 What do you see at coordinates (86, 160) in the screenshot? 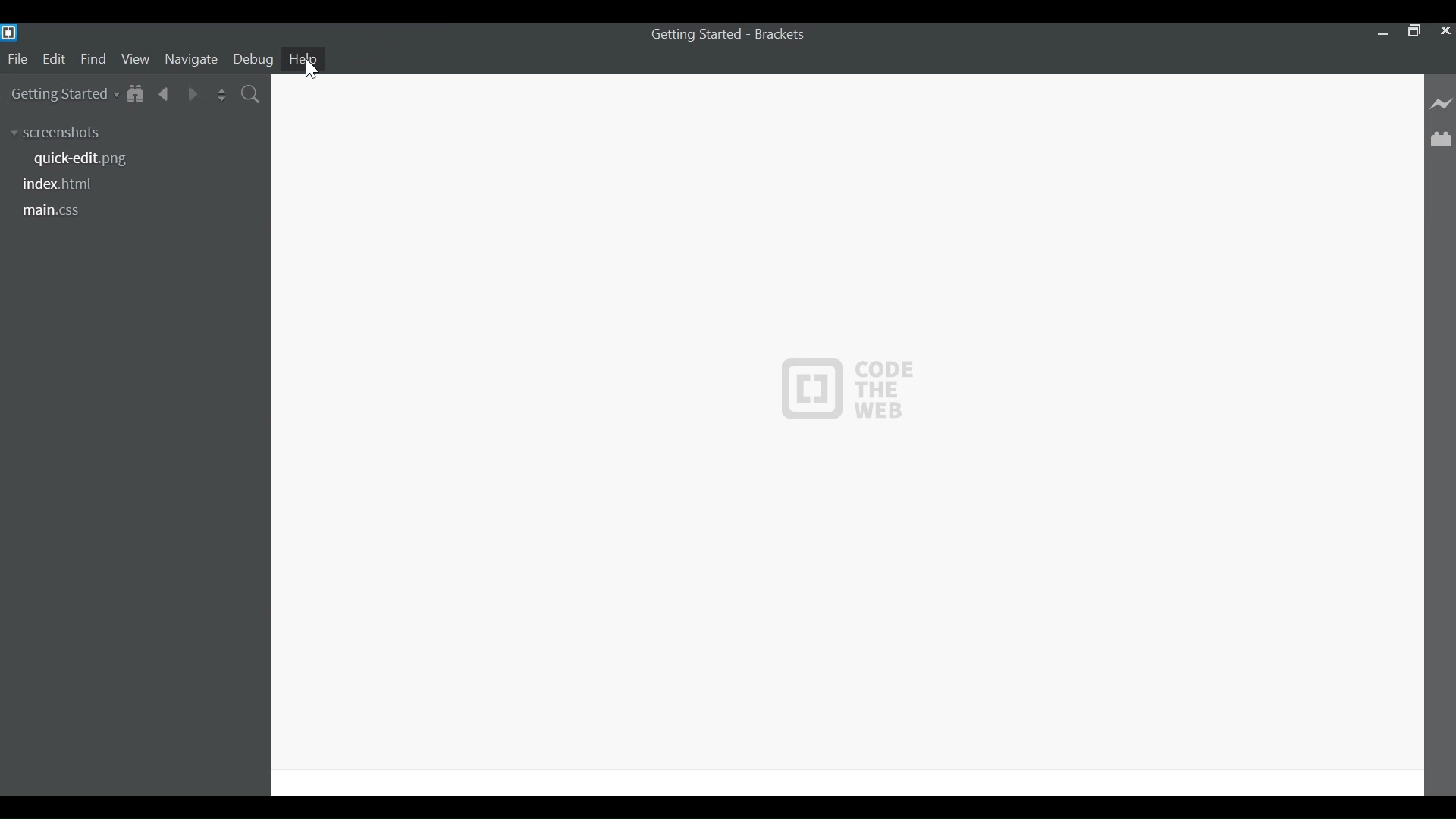
I see `quick edit png File` at bounding box center [86, 160].